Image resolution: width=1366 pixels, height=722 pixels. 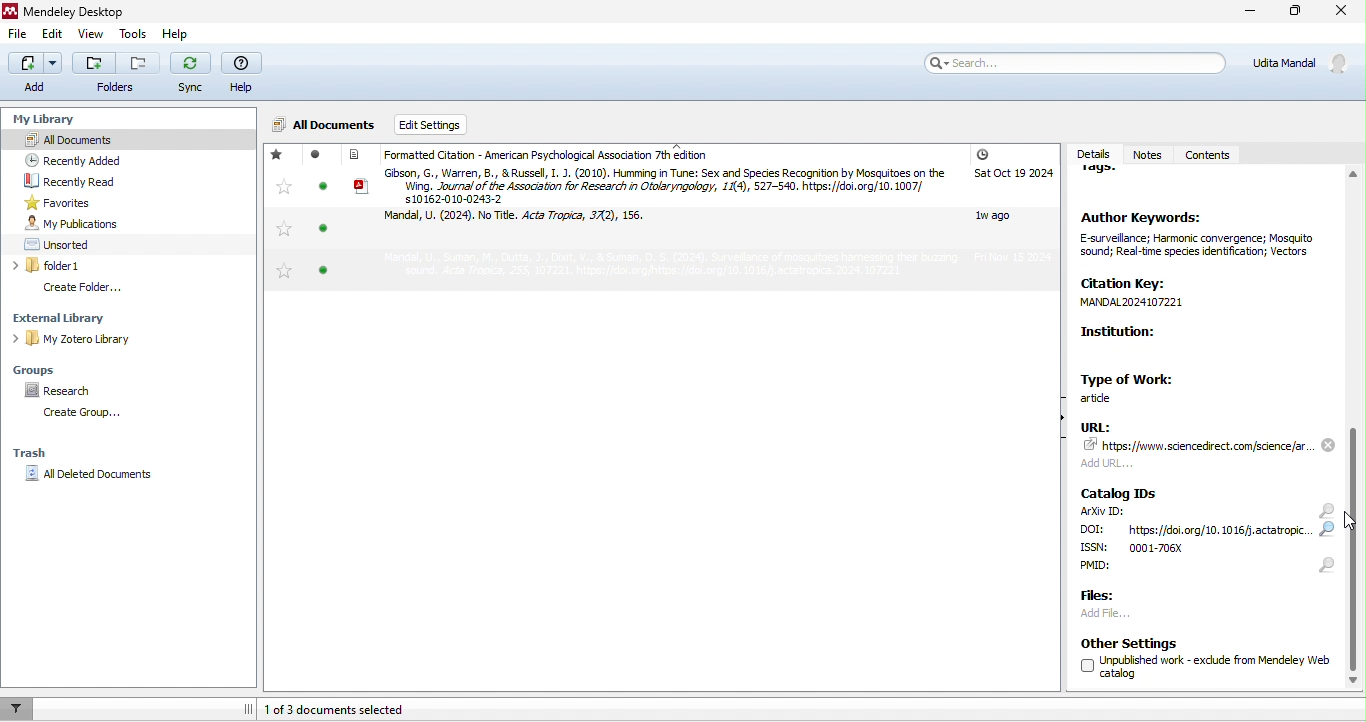 What do you see at coordinates (1354, 541) in the screenshot?
I see `slider moved` at bounding box center [1354, 541].